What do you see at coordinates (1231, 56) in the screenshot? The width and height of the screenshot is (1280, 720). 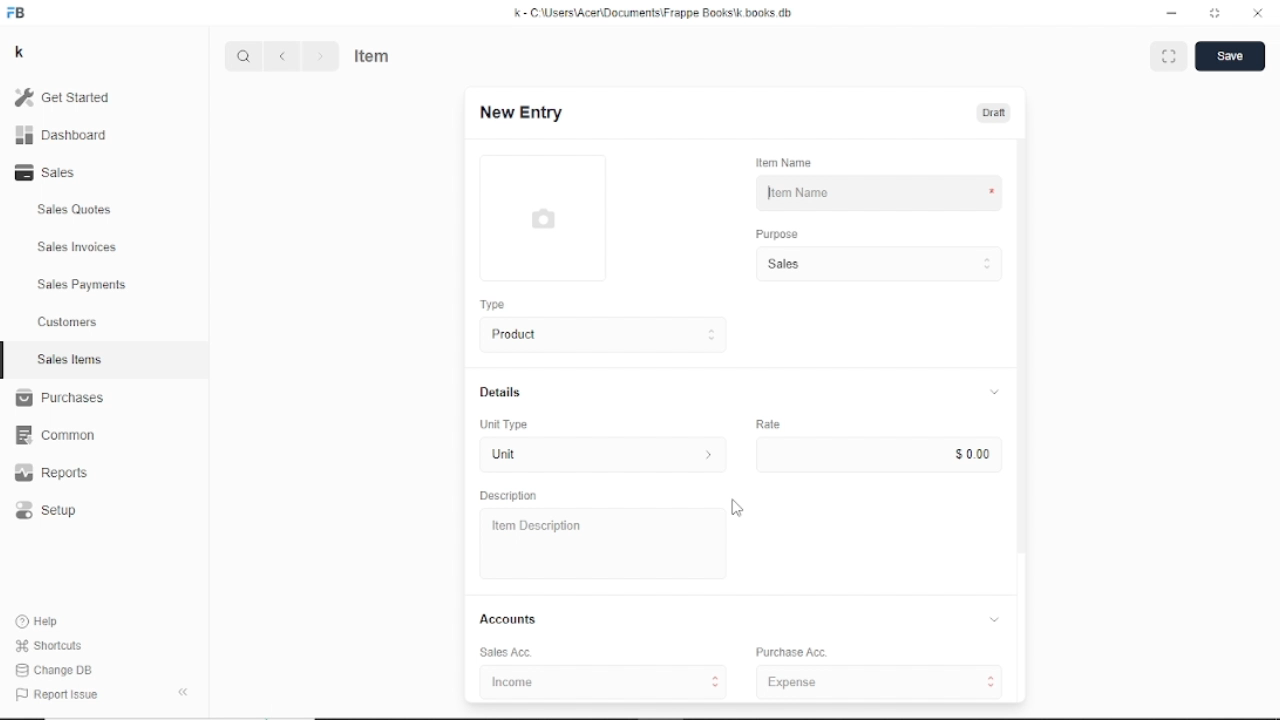 I see `Save` at bounding box center [1231, 56].